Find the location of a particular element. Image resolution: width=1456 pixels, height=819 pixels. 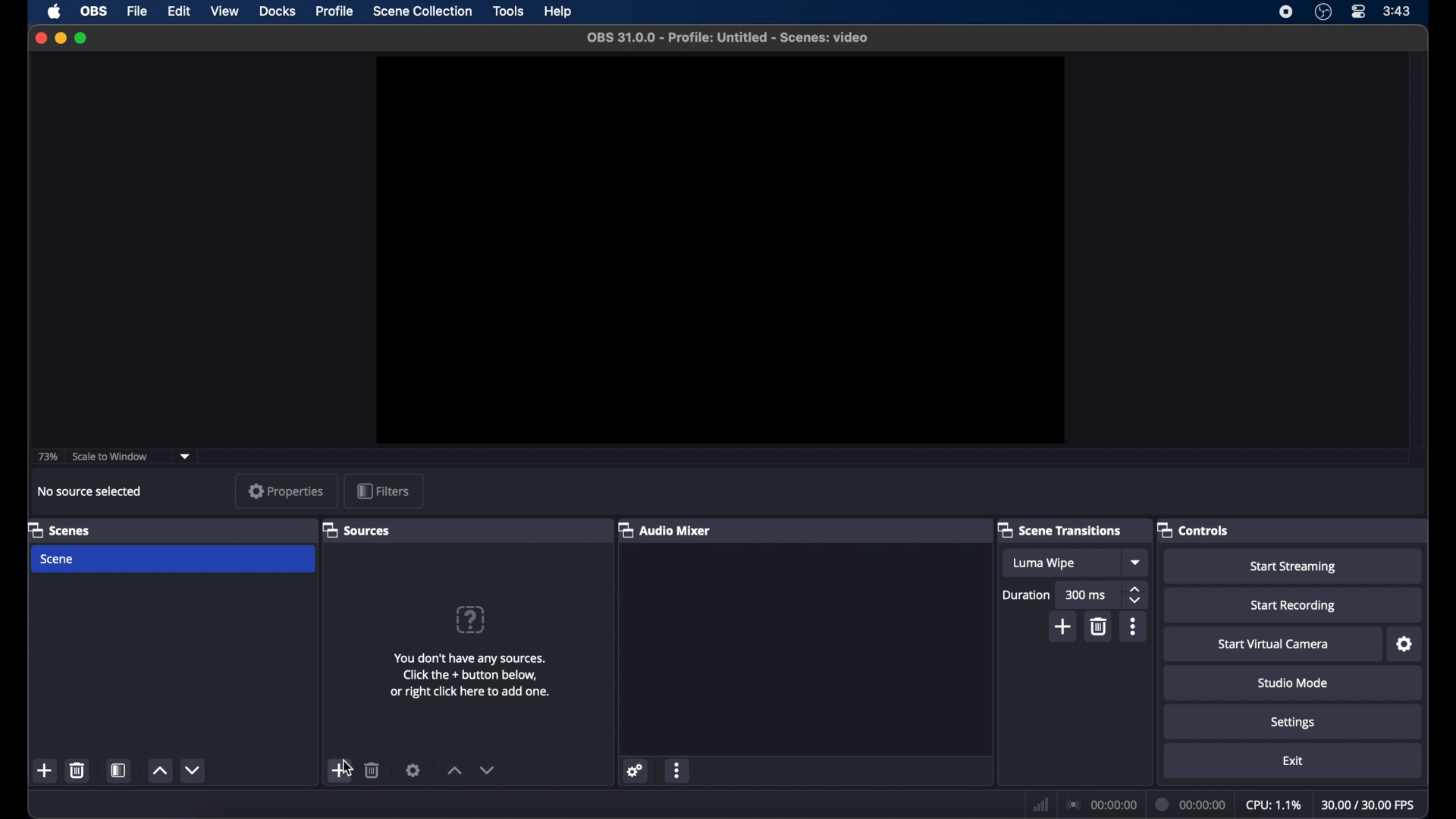

delete is located at coordinates (77, 770).